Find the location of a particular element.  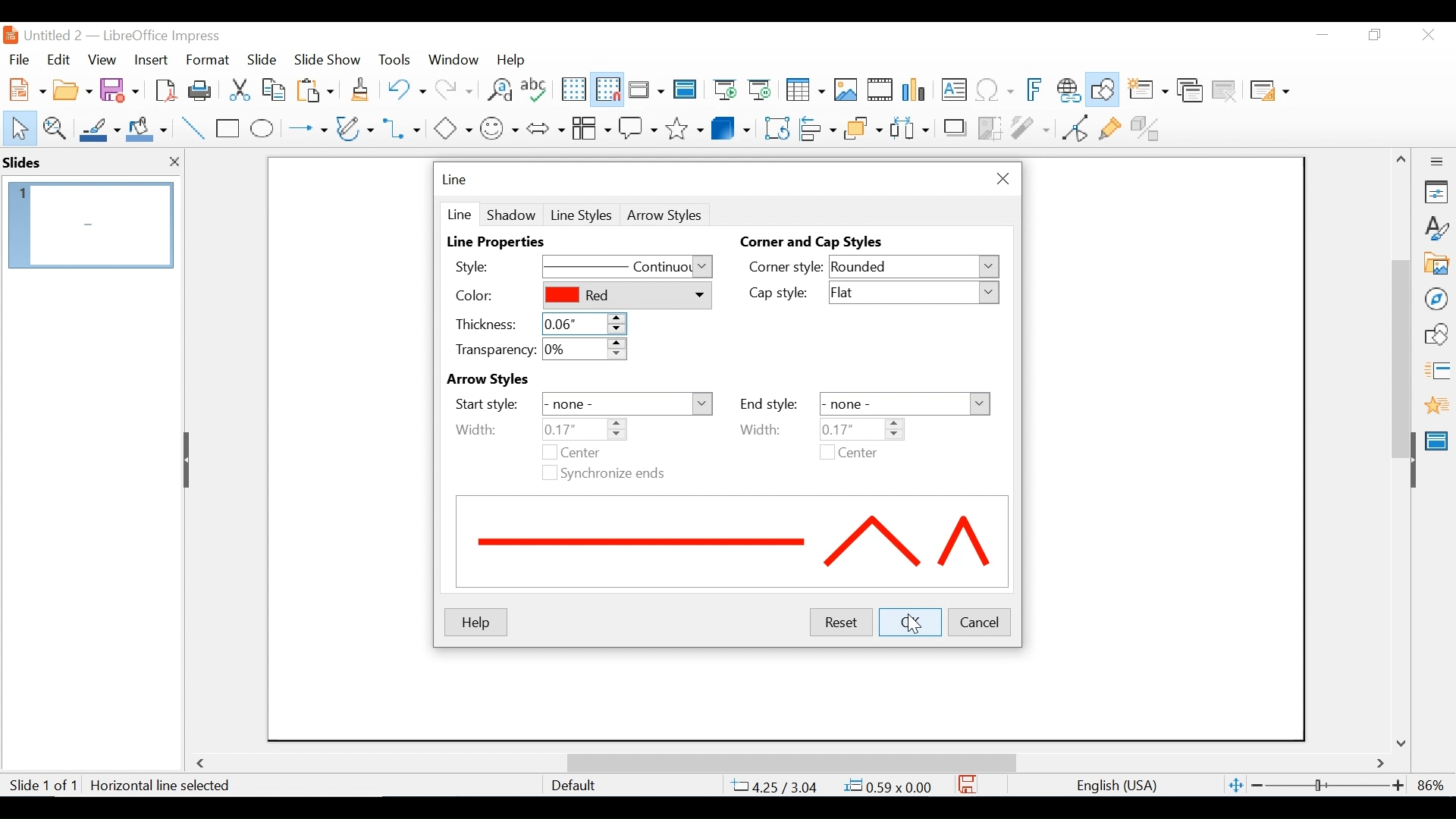

Restore is located at coordinates (1373, 35).